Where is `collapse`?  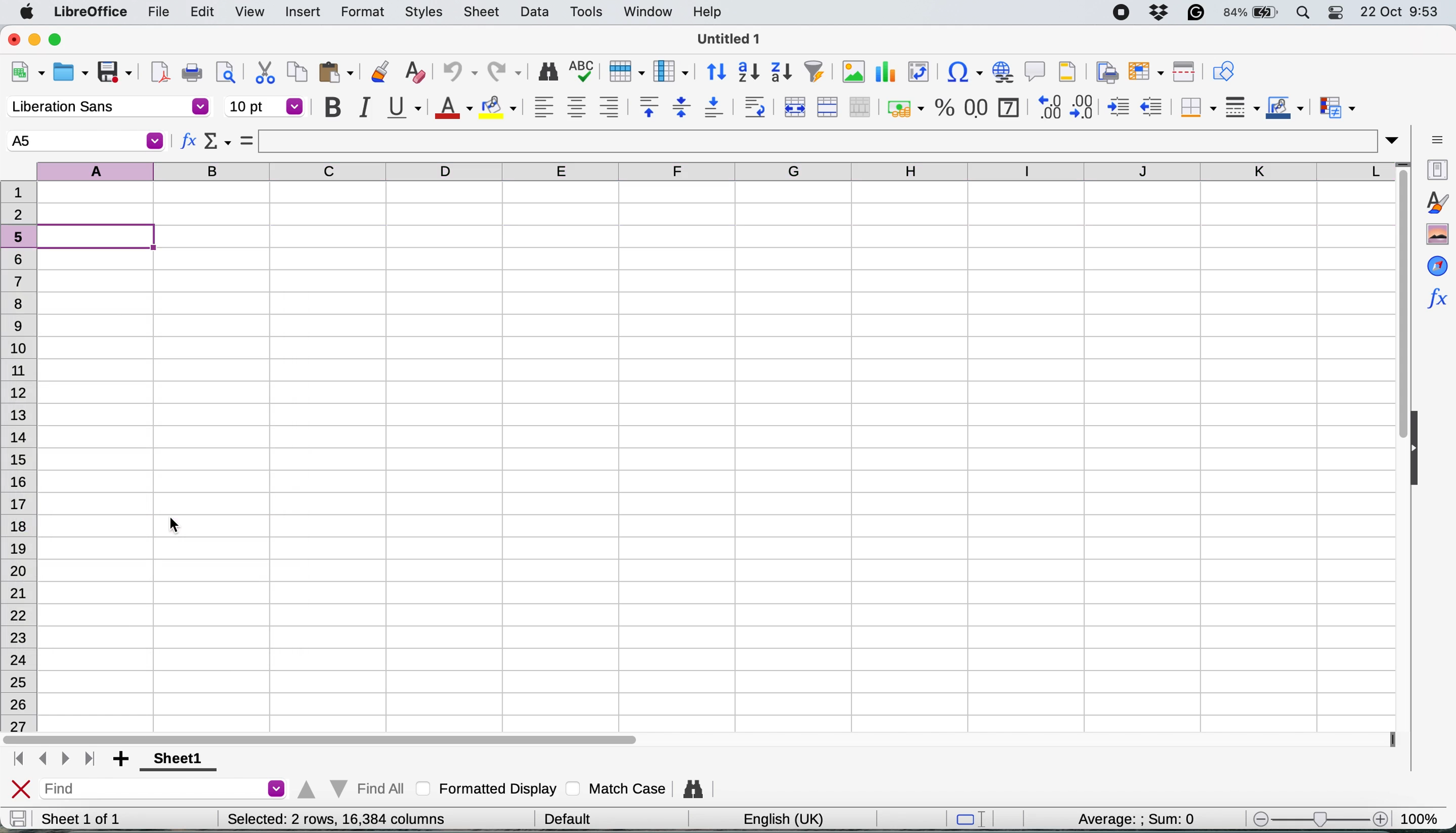
collapse is located at coordinates (1420, 450).